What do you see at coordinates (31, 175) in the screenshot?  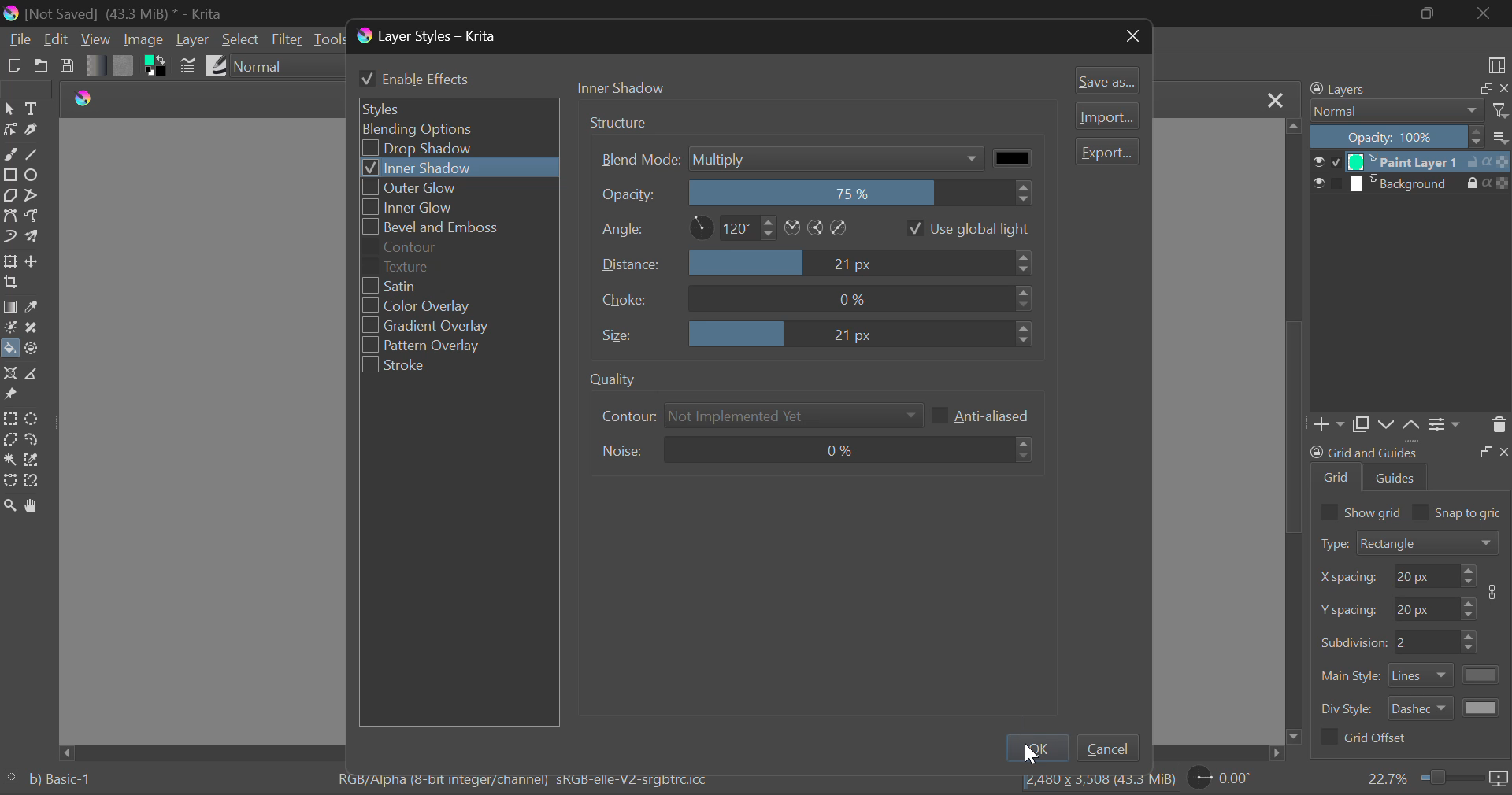 I see `Ellipses Selected ` at bounding box center [31, 175].